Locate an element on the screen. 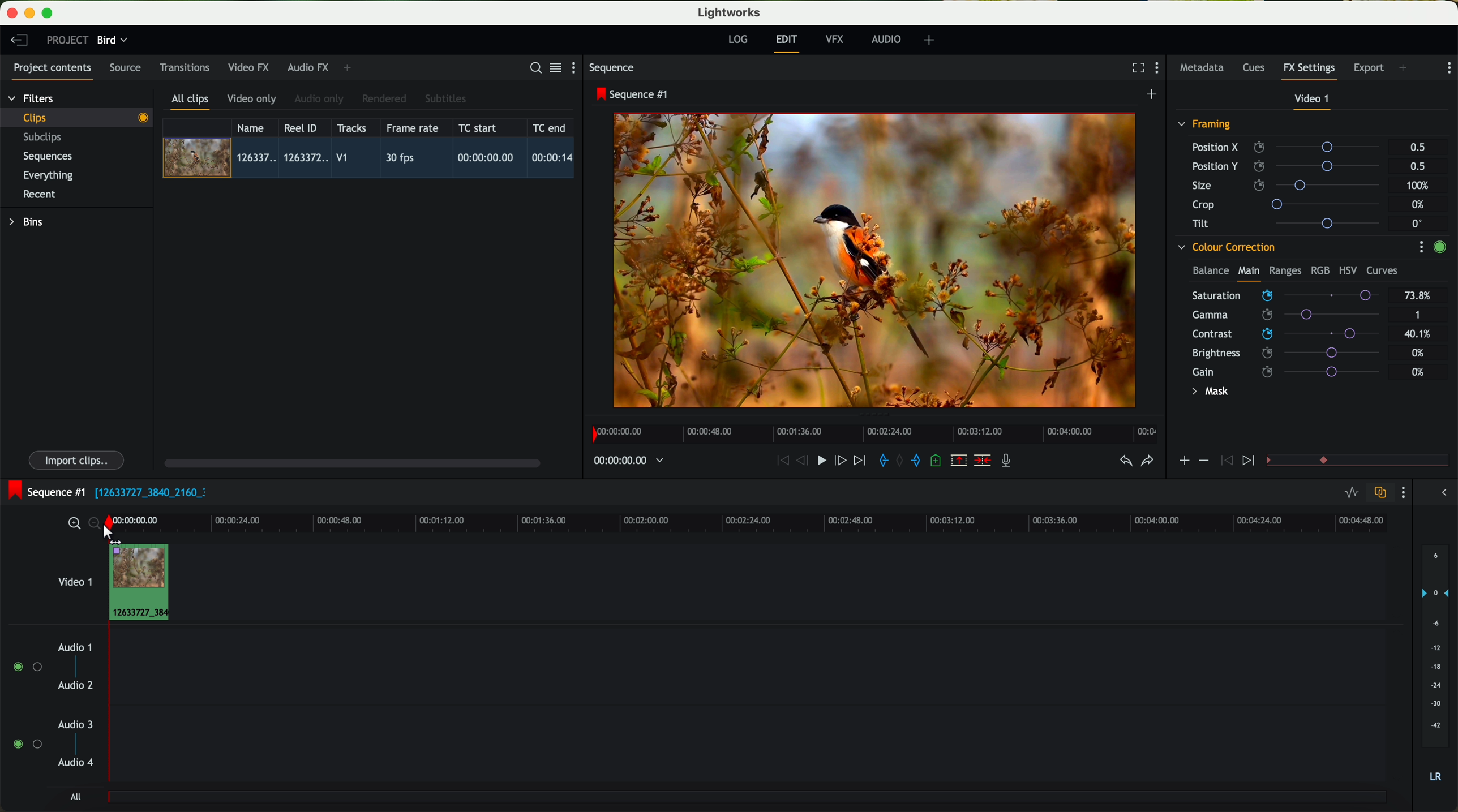  icon is located at coordinates (1183, 462).